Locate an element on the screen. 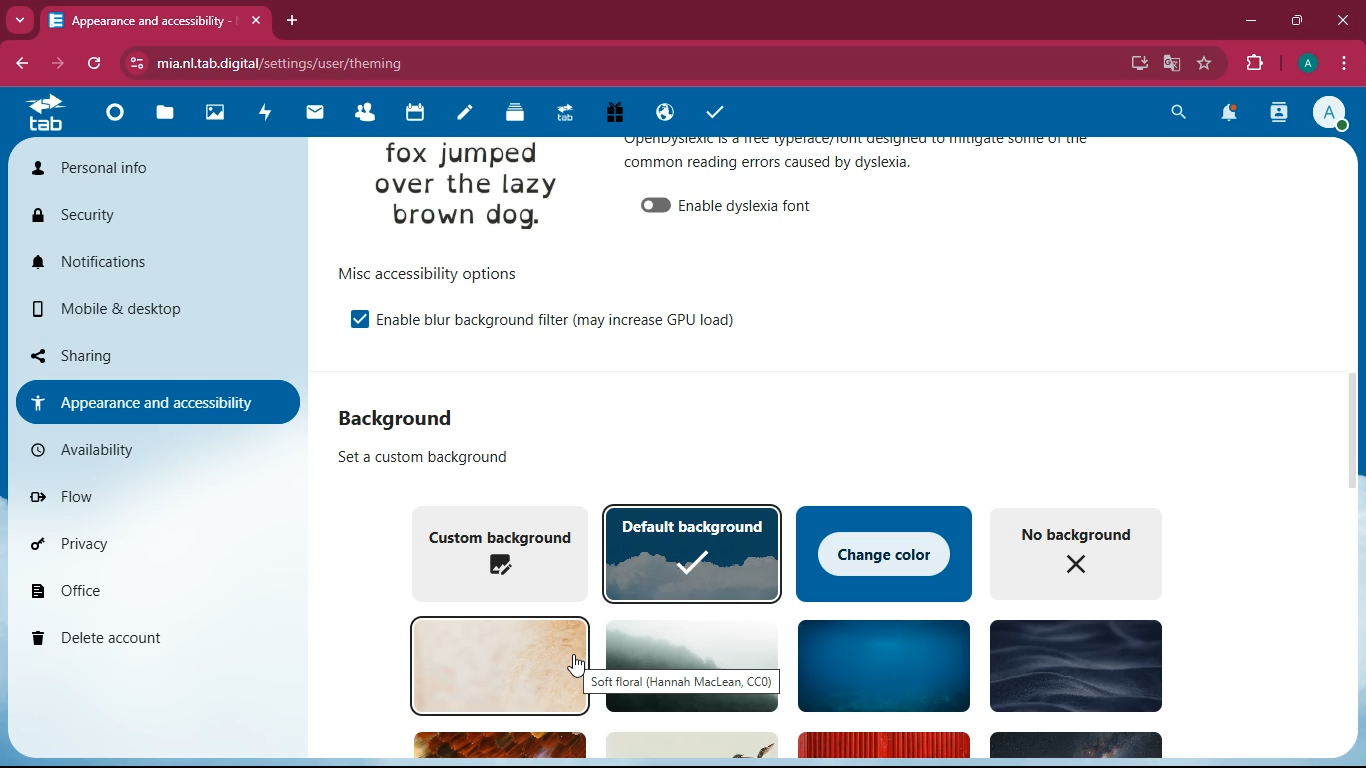  flow is located at coordinates (154, 502).